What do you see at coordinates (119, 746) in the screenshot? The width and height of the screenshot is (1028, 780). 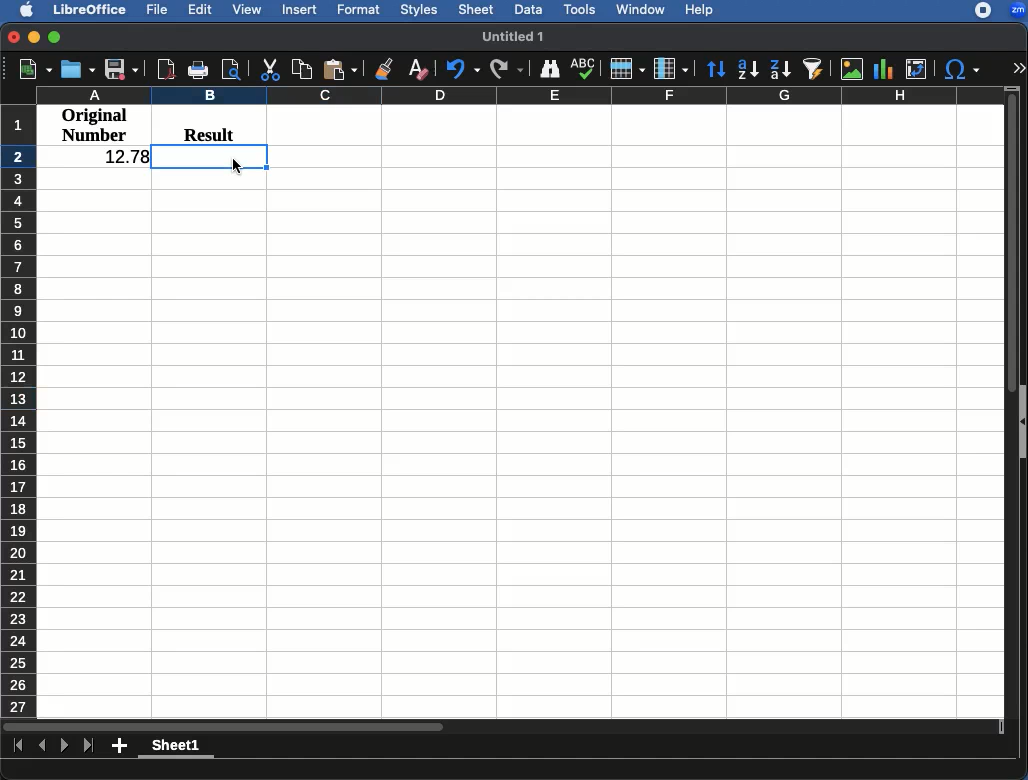 I see `Add sheet` at bounding box center [119, 746].